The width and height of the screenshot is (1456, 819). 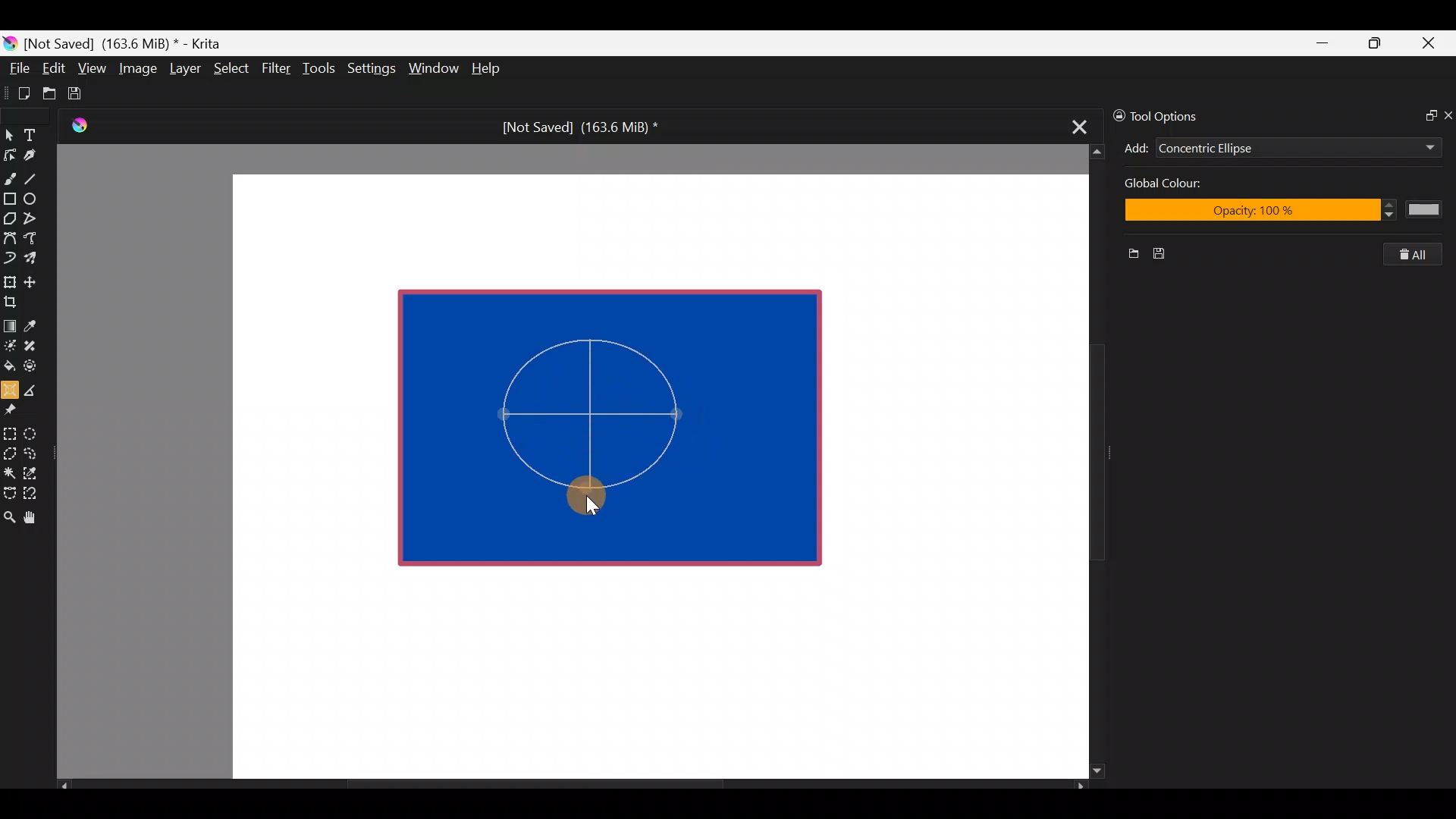 I want to click on Settings, so click(x=373, y=71).